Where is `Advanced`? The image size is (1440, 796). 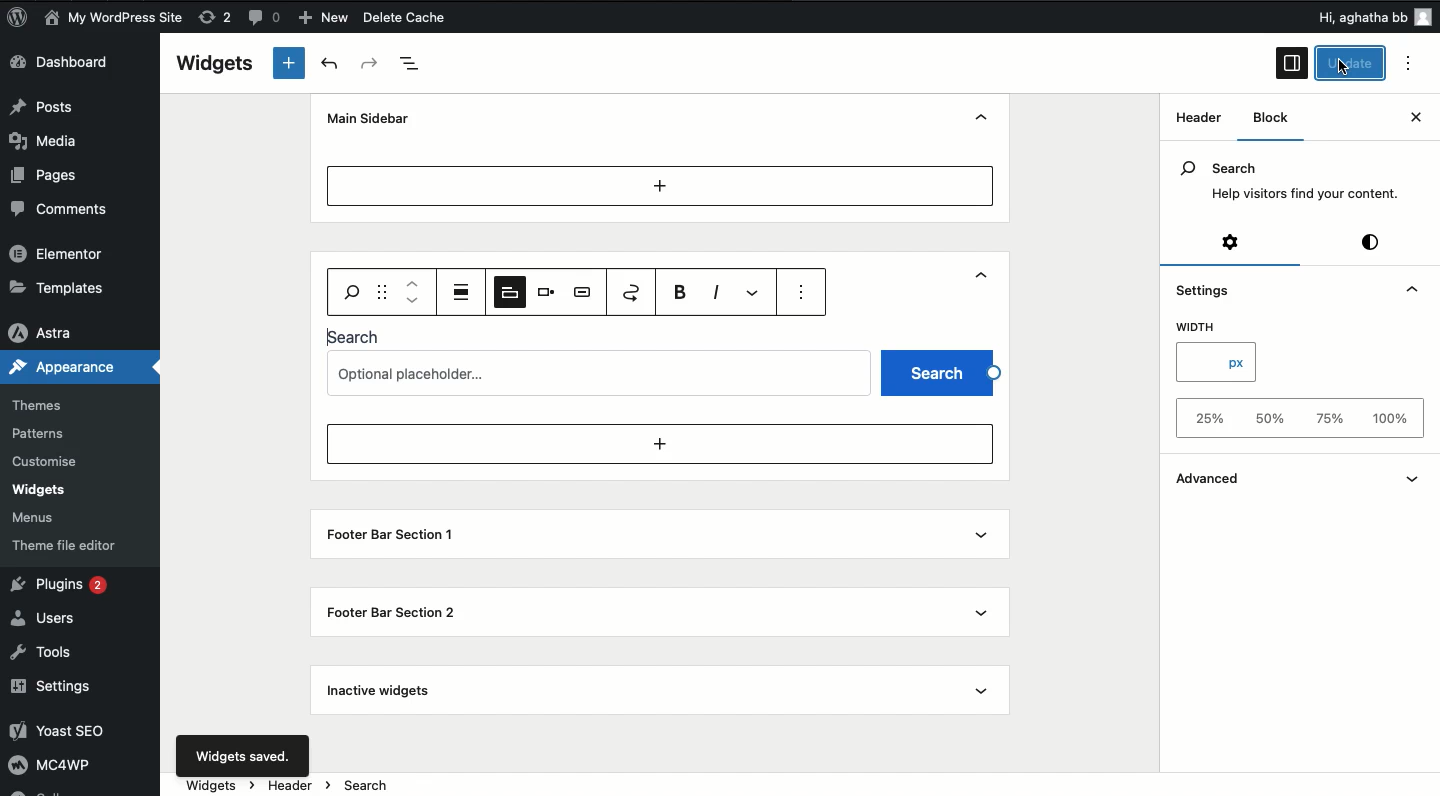 Advanced is located at coordinates (1228, 477).